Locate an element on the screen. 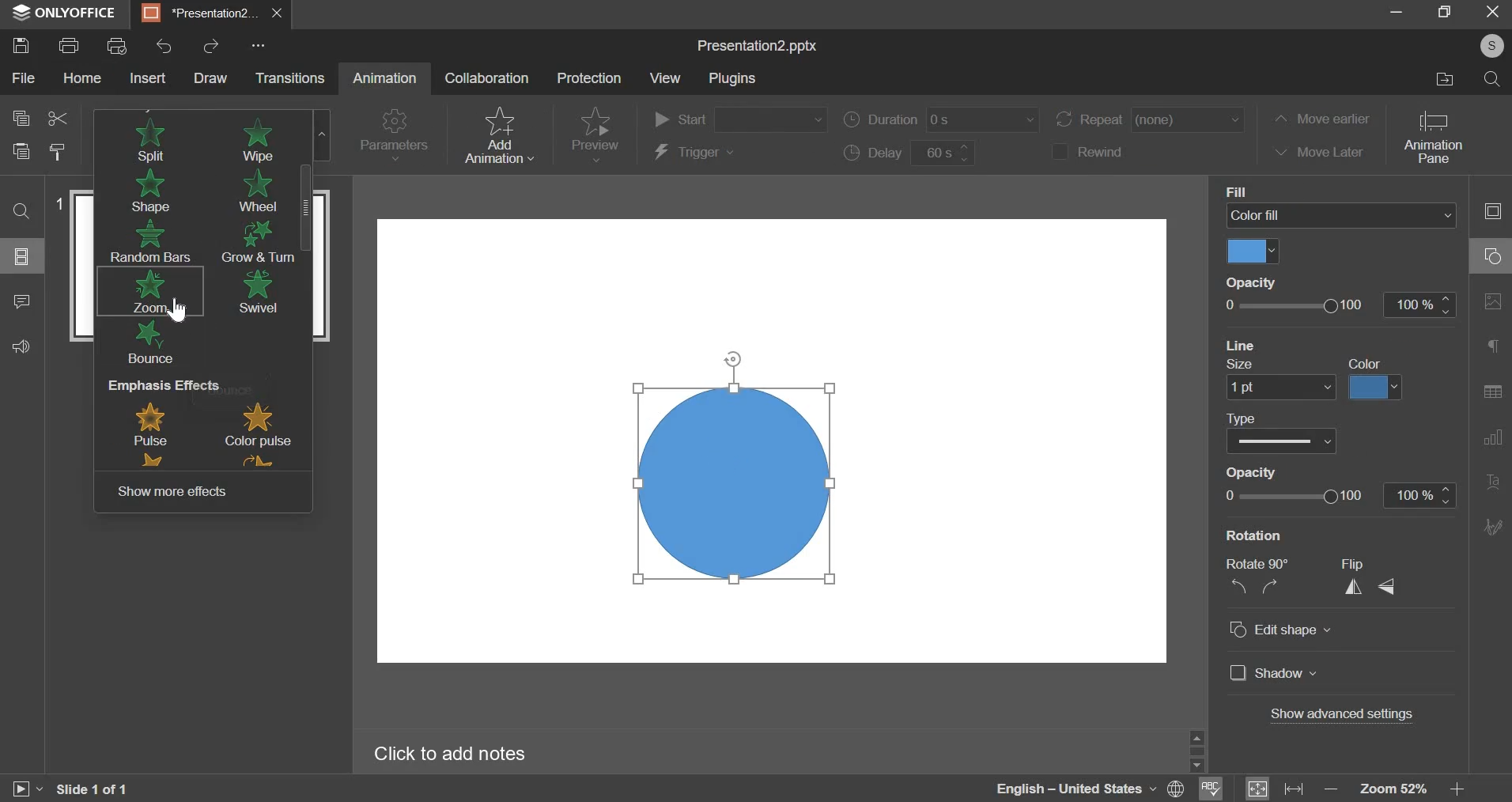  ONLYOFFICE is located at coordinates (68, 13).